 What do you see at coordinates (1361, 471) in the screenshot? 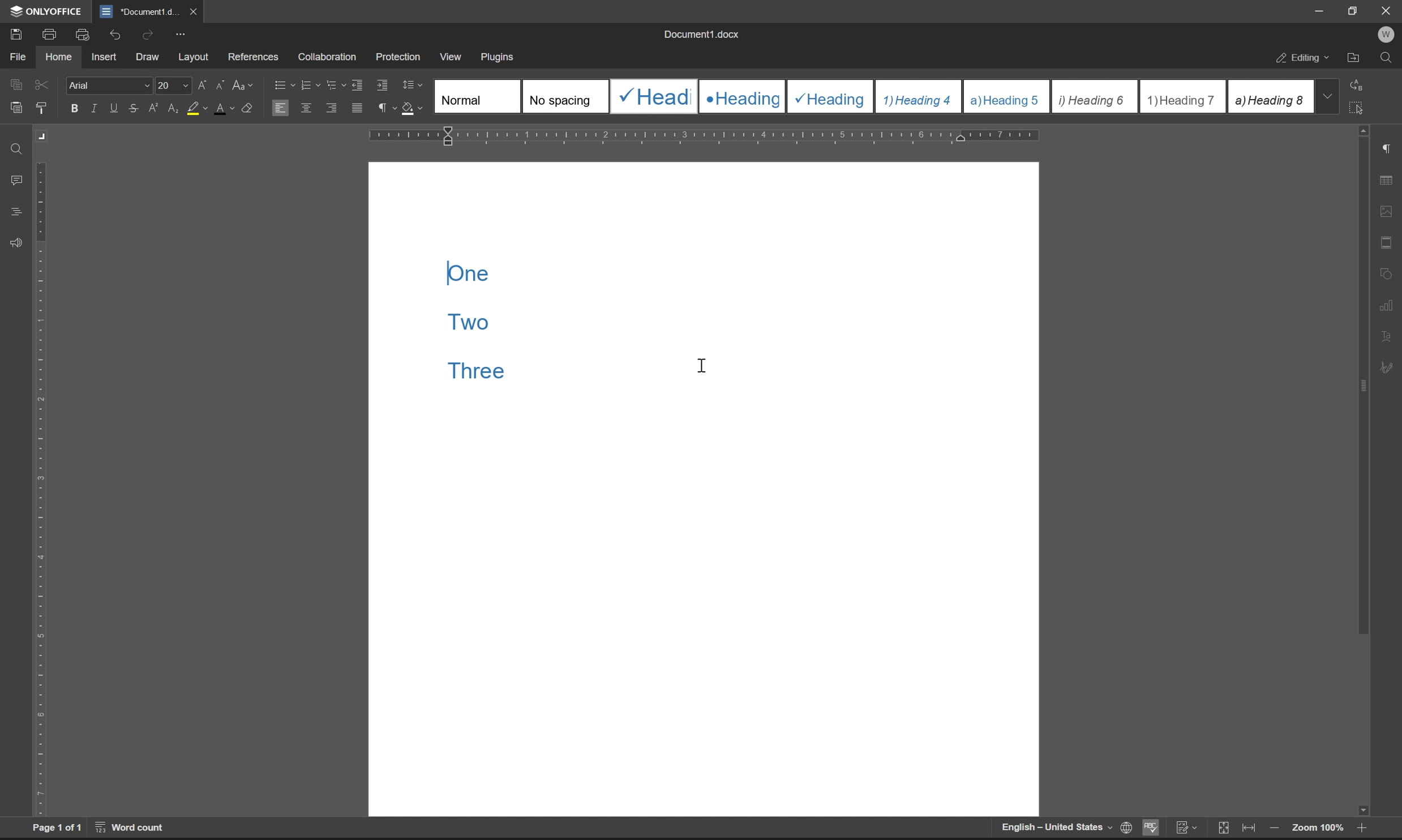
I see `scroll bar` at bounding box center [1361, 471].